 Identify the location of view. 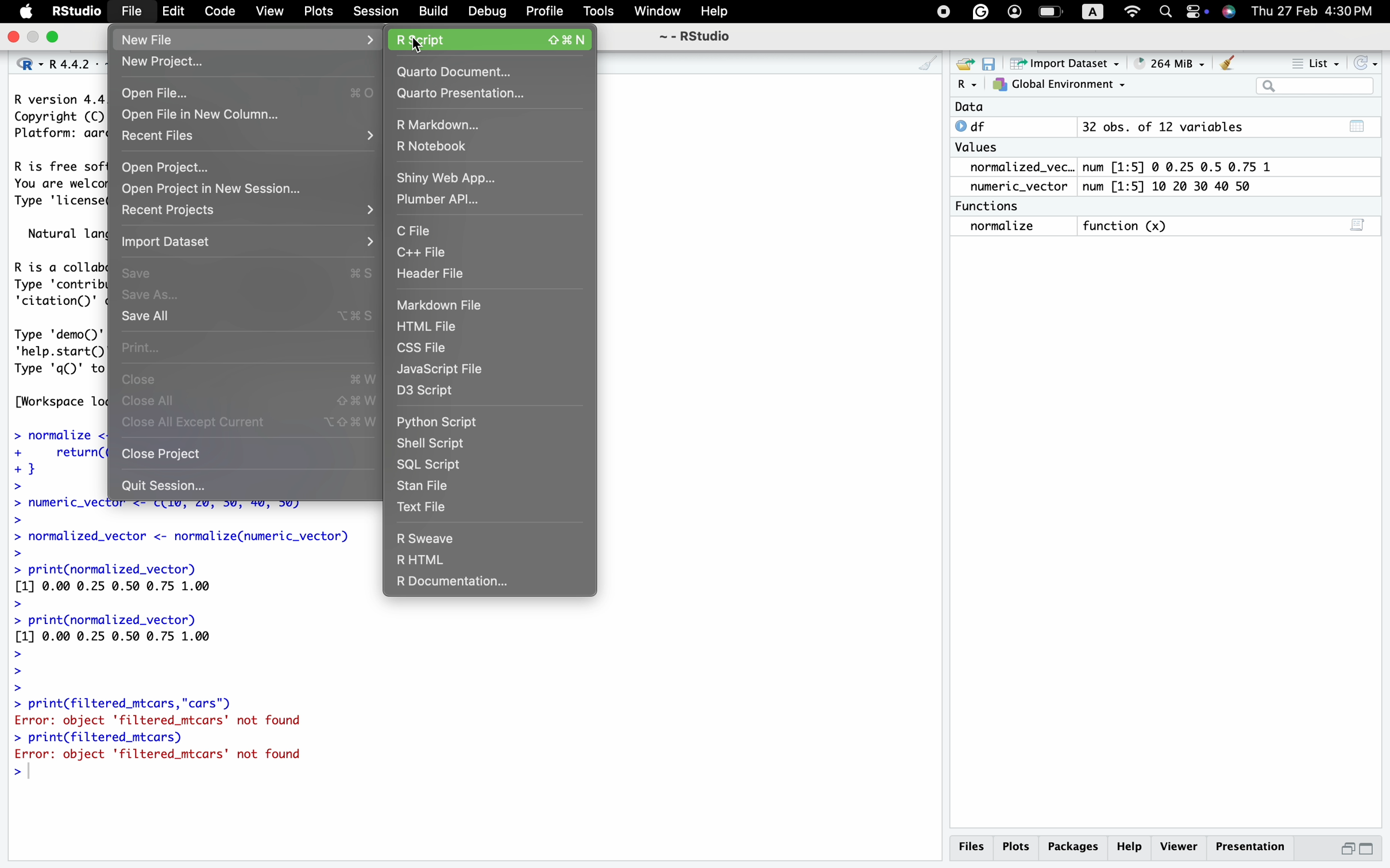
(269, 12).